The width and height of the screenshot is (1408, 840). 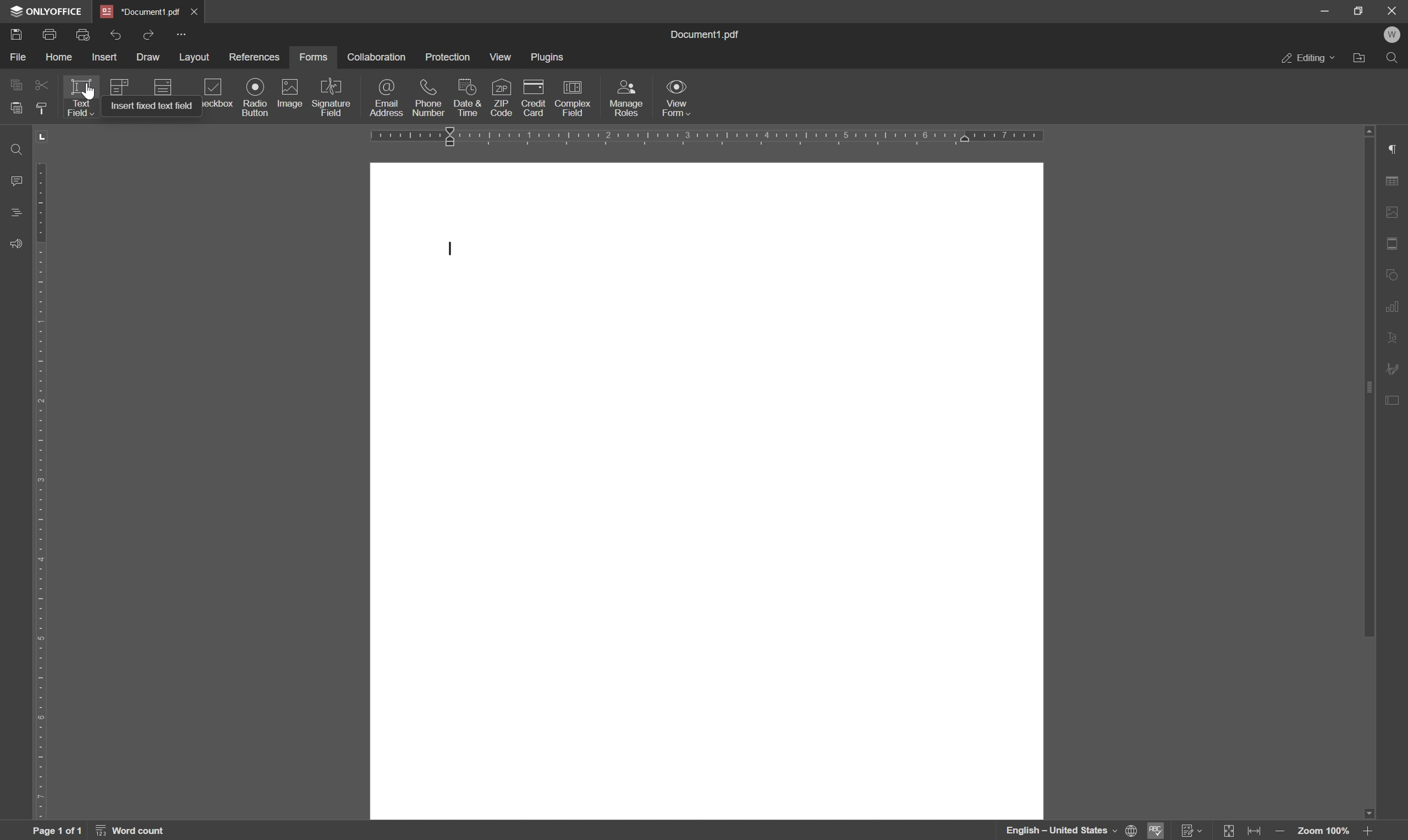 What do you see at coordinates (549, 58) in the screenshot?
I see `plugins` at bounding box center [549, 58].